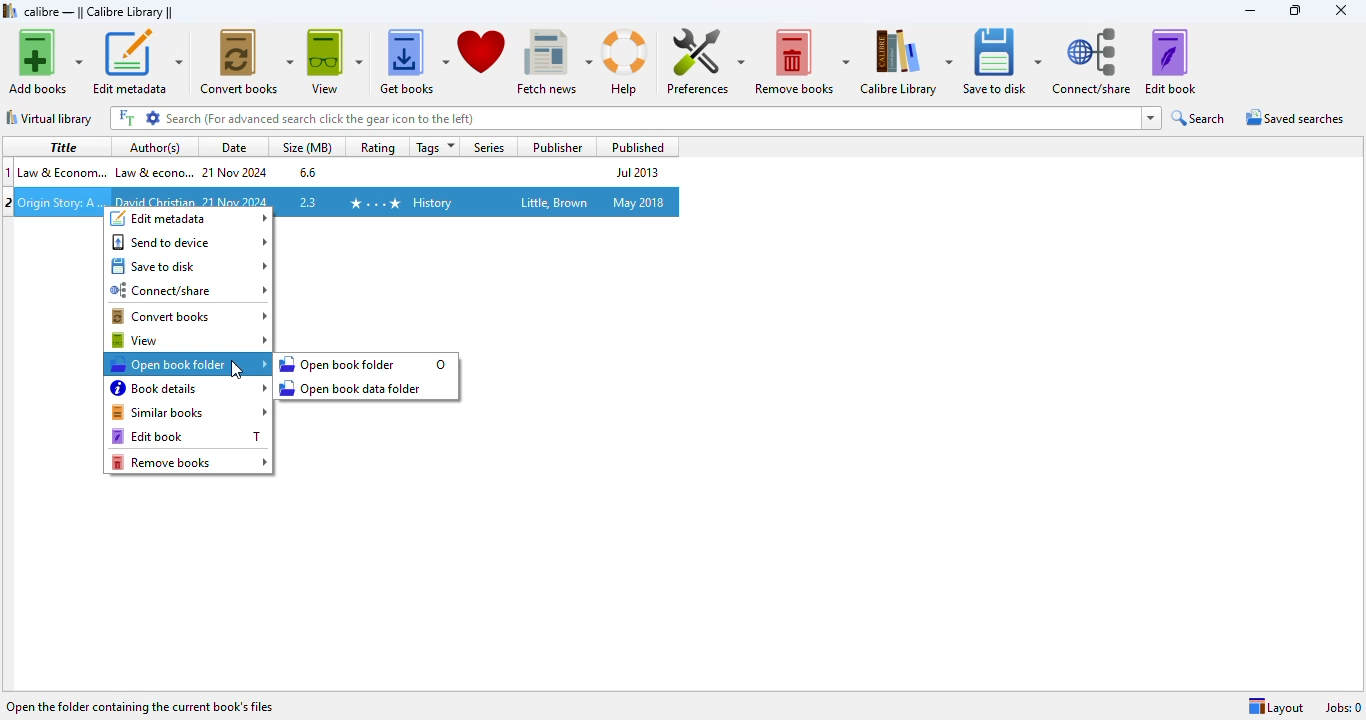 This screenshot has height=720, width=1366. Describe the element at coordinates (231, 147) in the screenshot. I see `date` at that location.